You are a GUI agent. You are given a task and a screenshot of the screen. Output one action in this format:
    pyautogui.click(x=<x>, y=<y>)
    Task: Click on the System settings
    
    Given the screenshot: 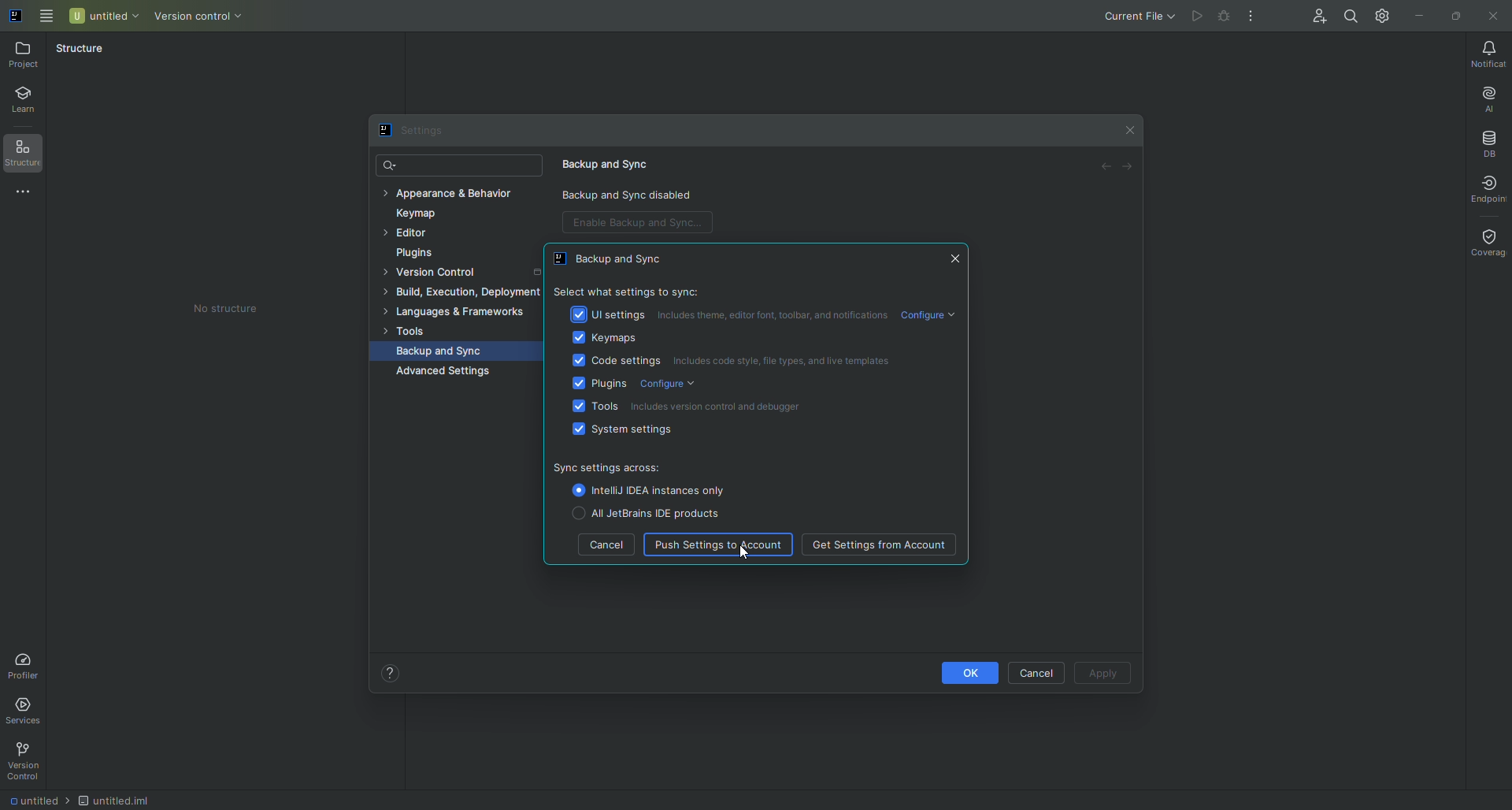 What is the action you would take?
    pyautogui.click(x=626, y=432)
    